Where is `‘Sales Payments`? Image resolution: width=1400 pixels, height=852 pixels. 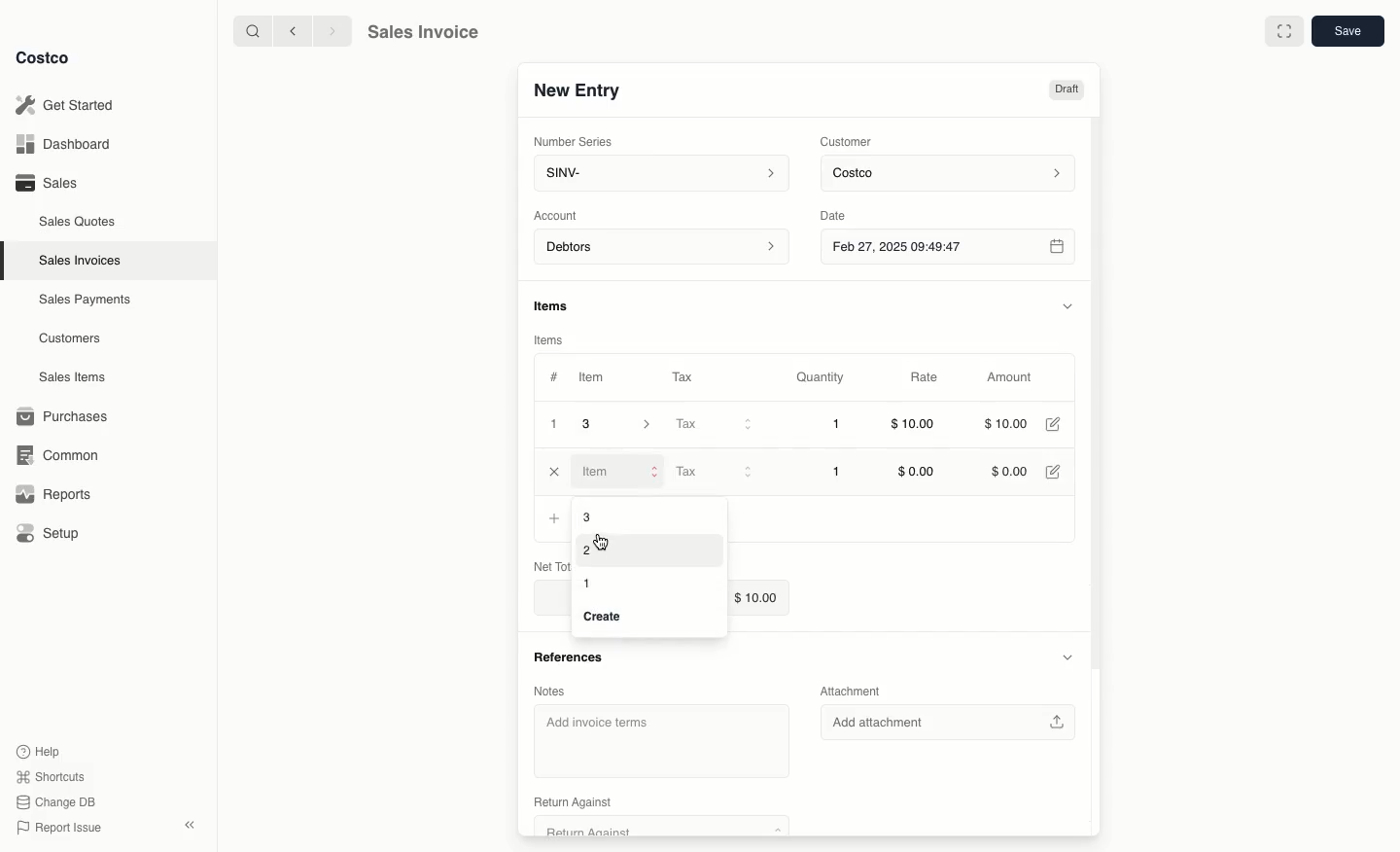
‘Sales Payments is located at coordinates (85, 298).